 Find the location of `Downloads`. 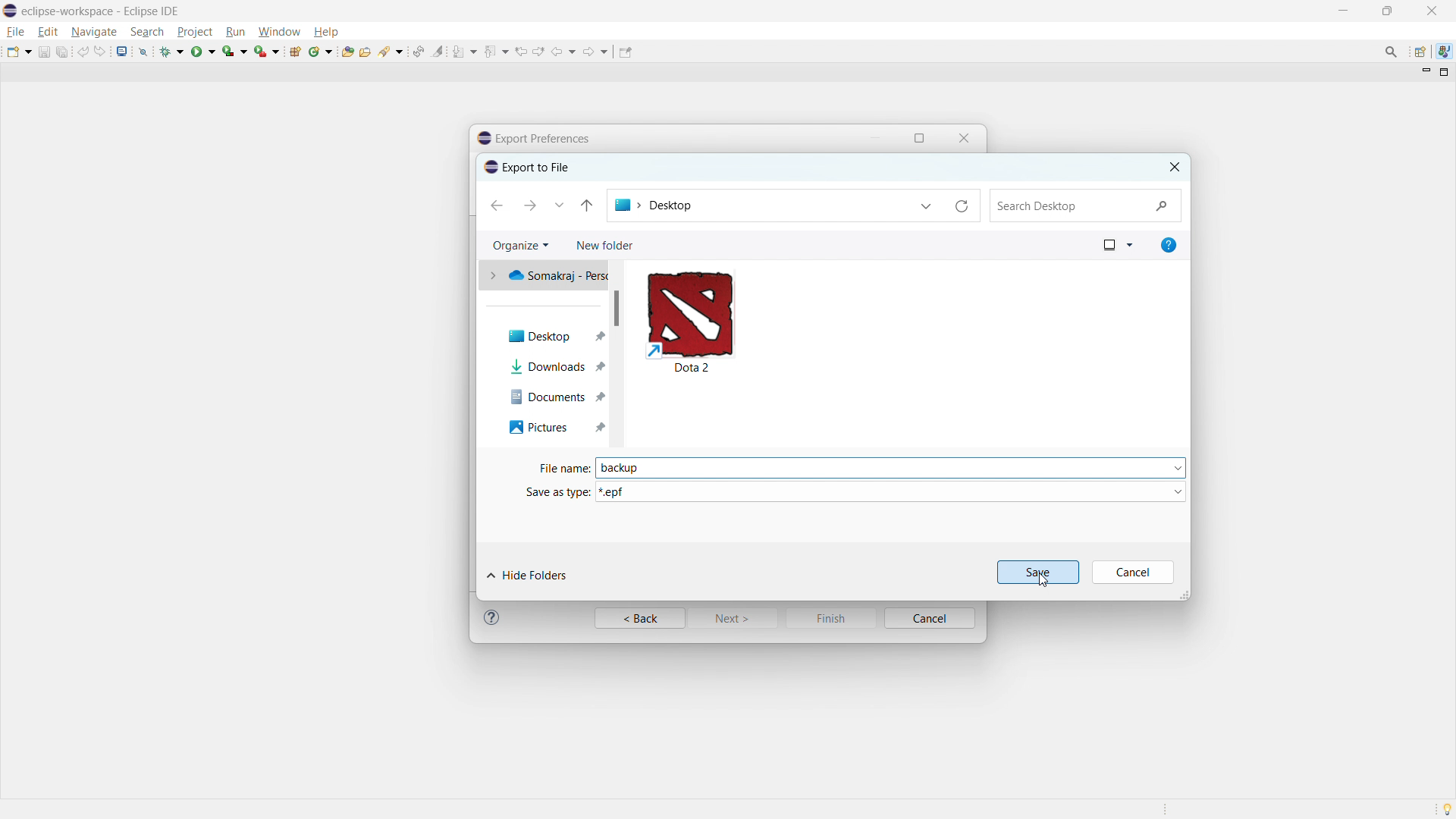

Downloads is located at coordinates (557, 367).